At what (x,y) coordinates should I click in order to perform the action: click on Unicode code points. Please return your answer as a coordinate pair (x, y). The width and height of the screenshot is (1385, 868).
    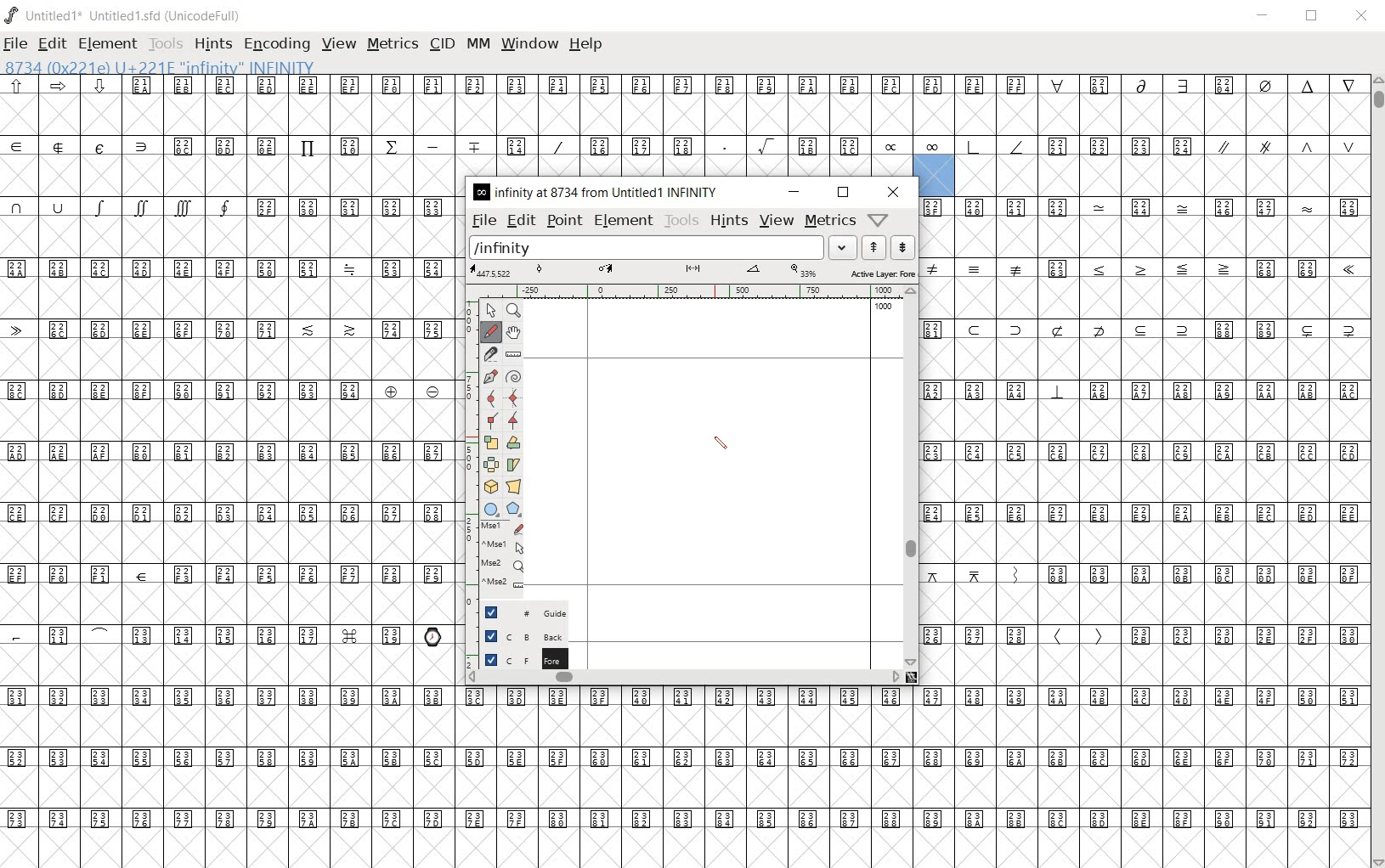
    Looking at the image, I should click on (1145, 513).